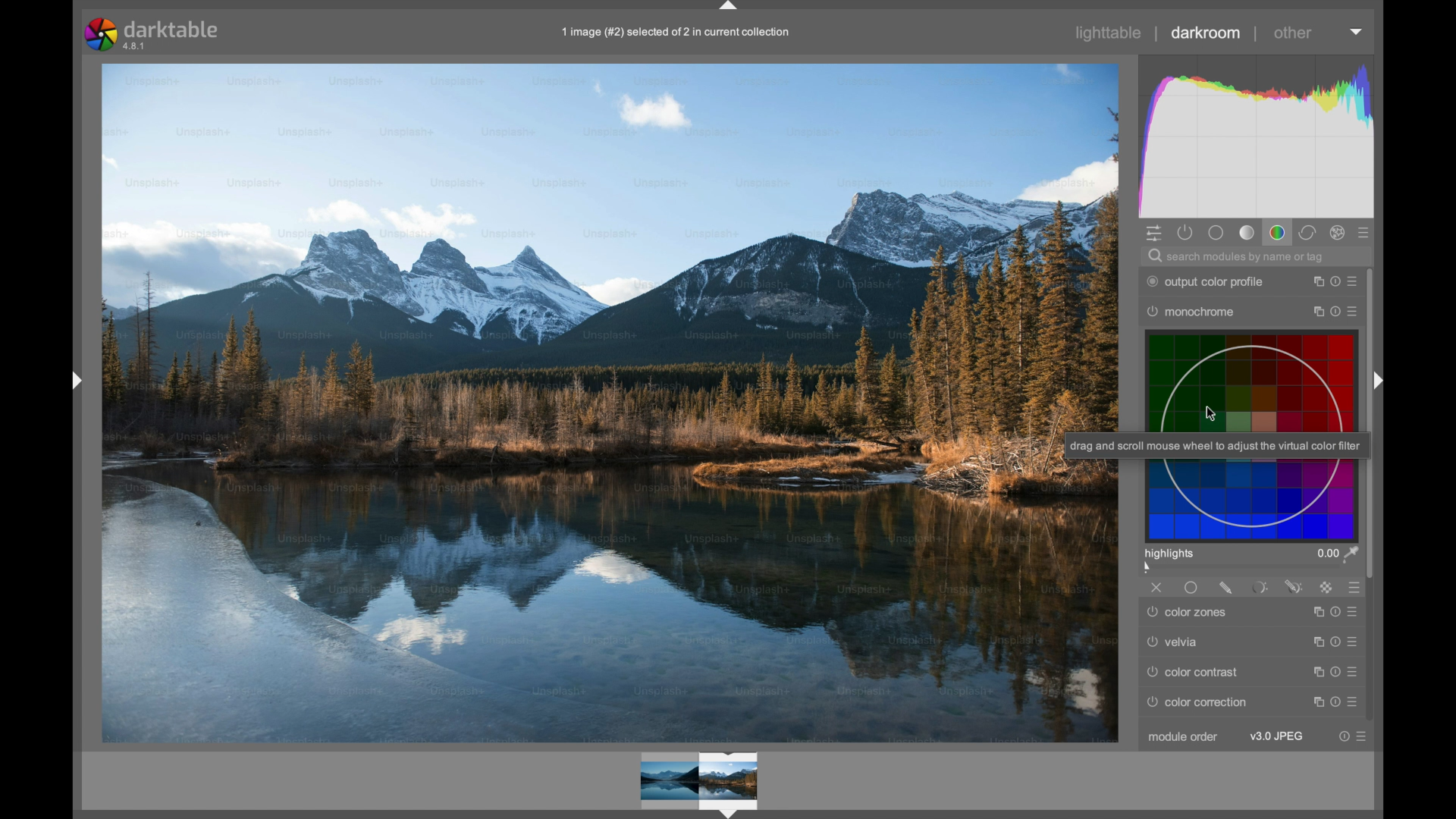 Image resolution: width=1456 pixels, height=819 pixels. I want to click on dropdown menu , so click(1357, 31).